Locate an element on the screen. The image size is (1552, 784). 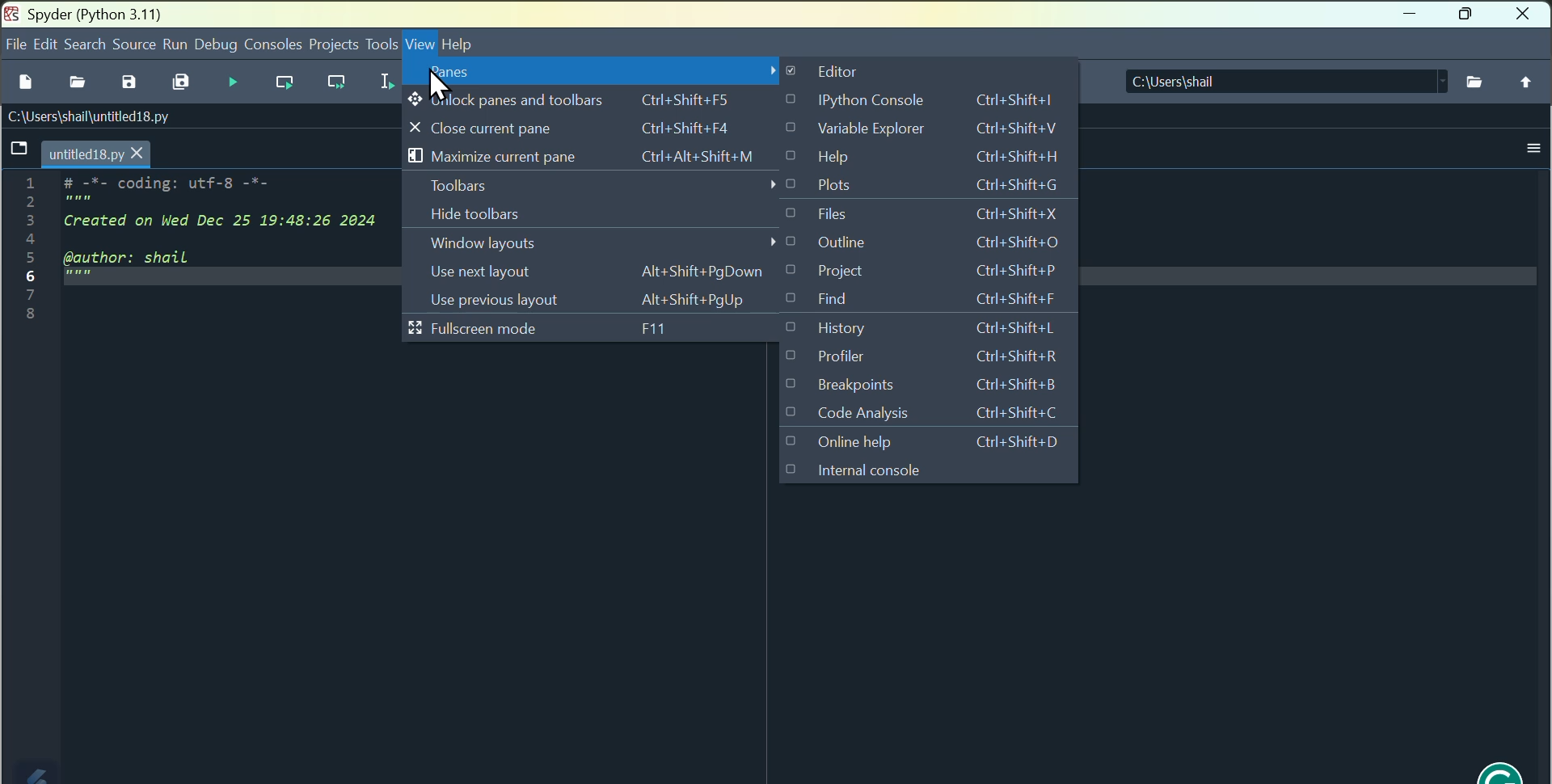
line numbers is located at coordinates (32, 249).